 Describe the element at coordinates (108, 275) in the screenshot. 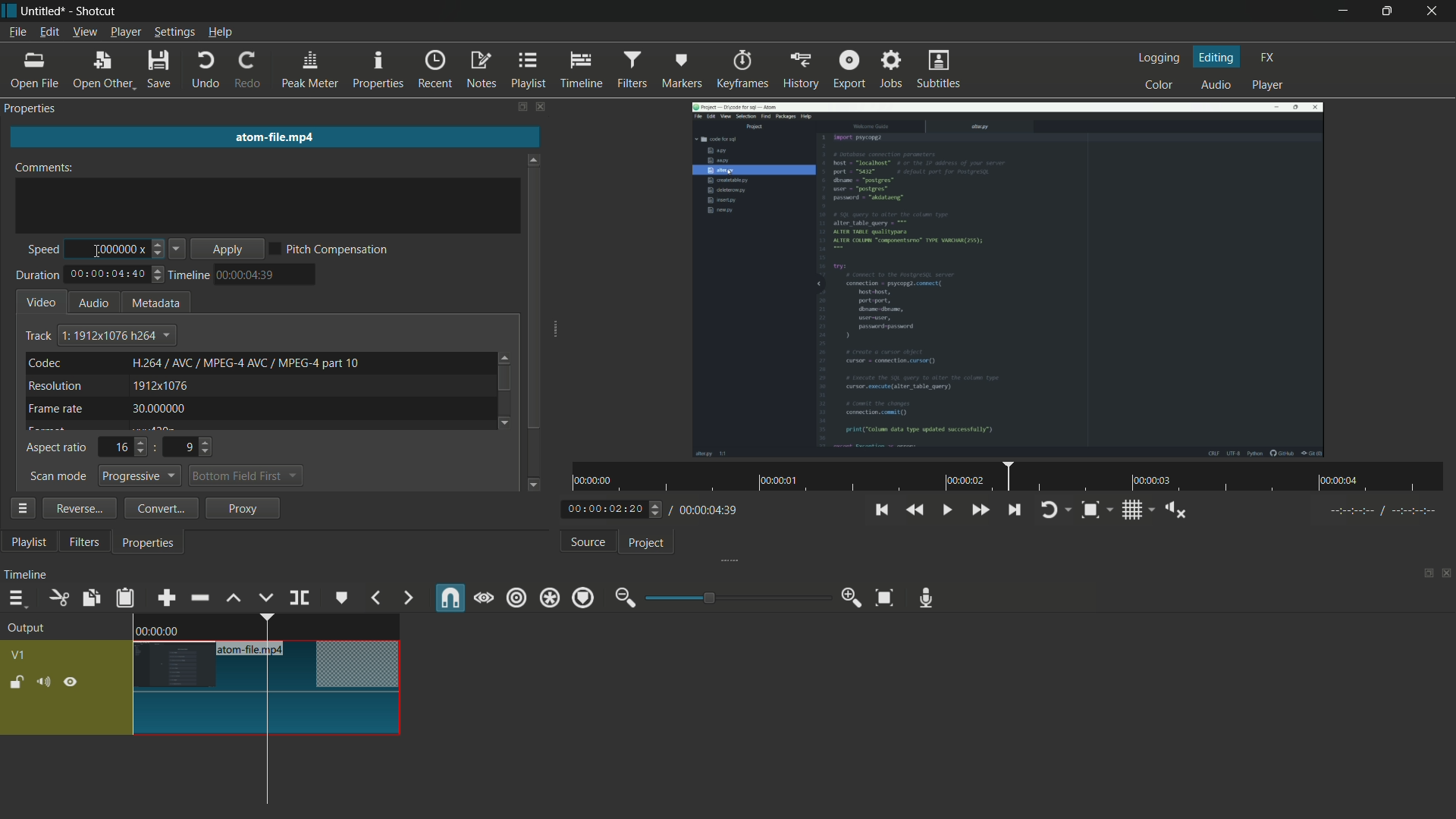

I see `total time` at that location.